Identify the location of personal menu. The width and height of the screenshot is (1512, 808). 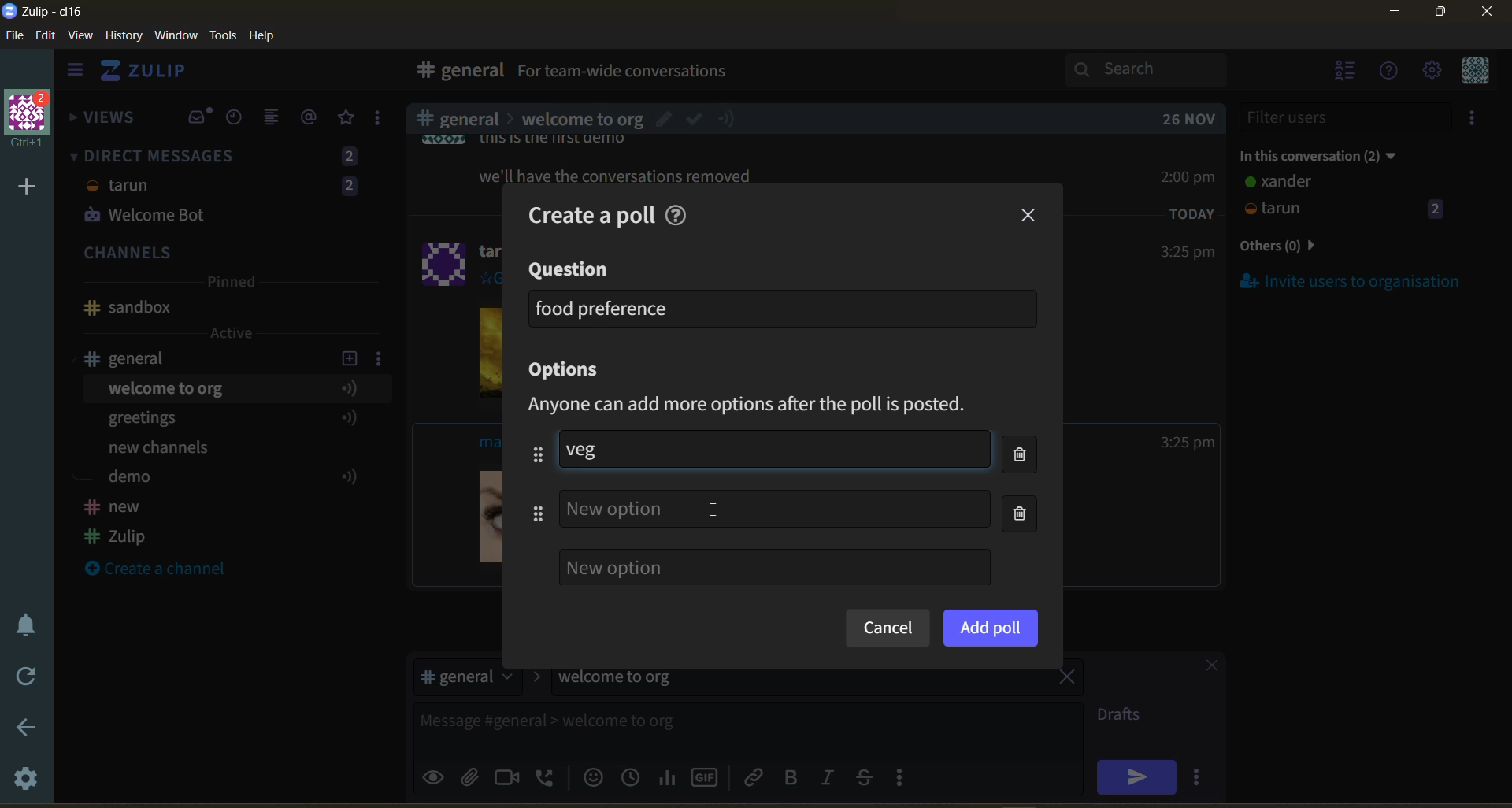
(1473, 72).